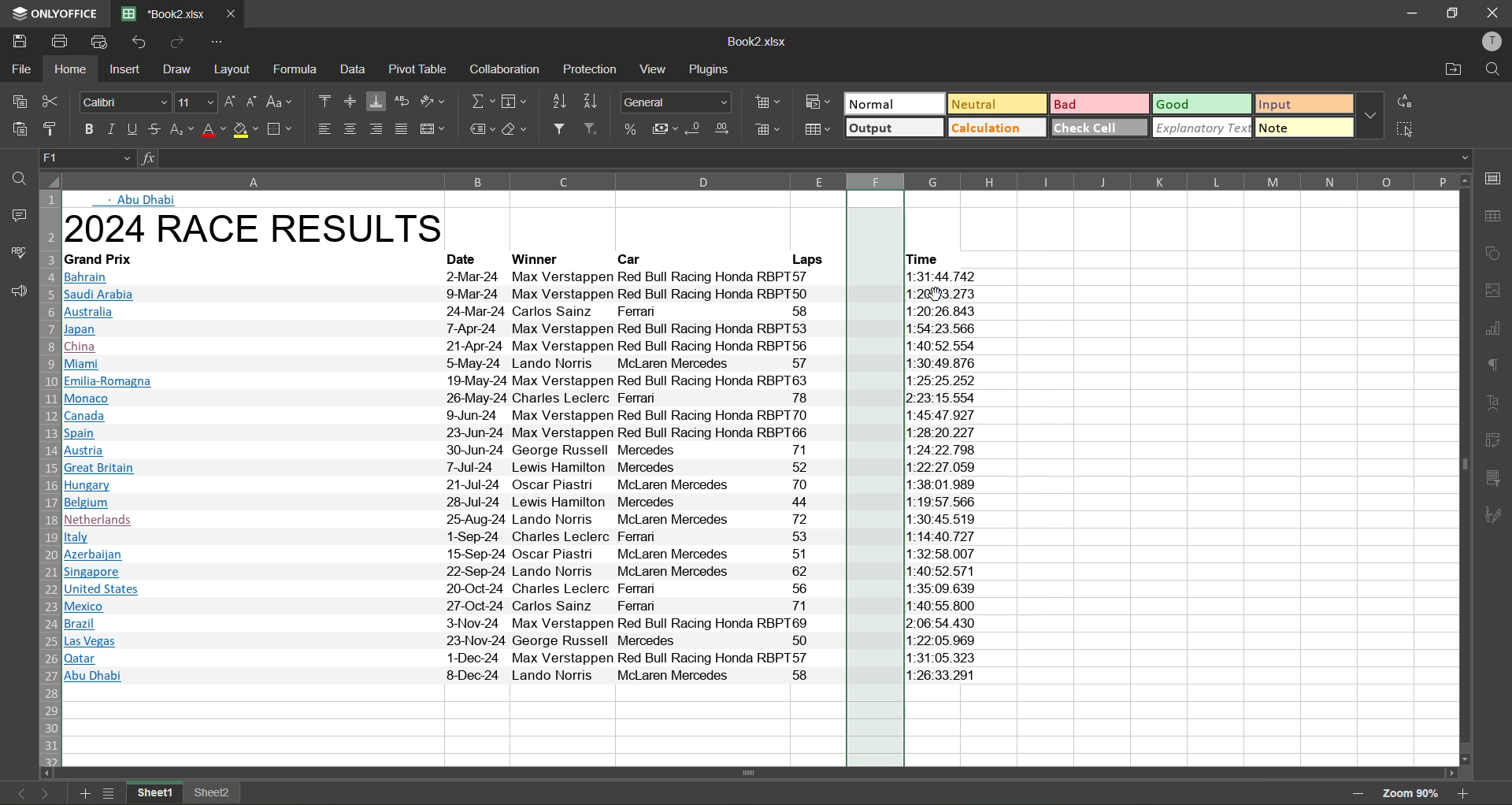 This screenshot has width=1512, height=805. What do you see at coordinates (590, 69) in the screenshot?
I see `protection` at bounding box center [590, 69].